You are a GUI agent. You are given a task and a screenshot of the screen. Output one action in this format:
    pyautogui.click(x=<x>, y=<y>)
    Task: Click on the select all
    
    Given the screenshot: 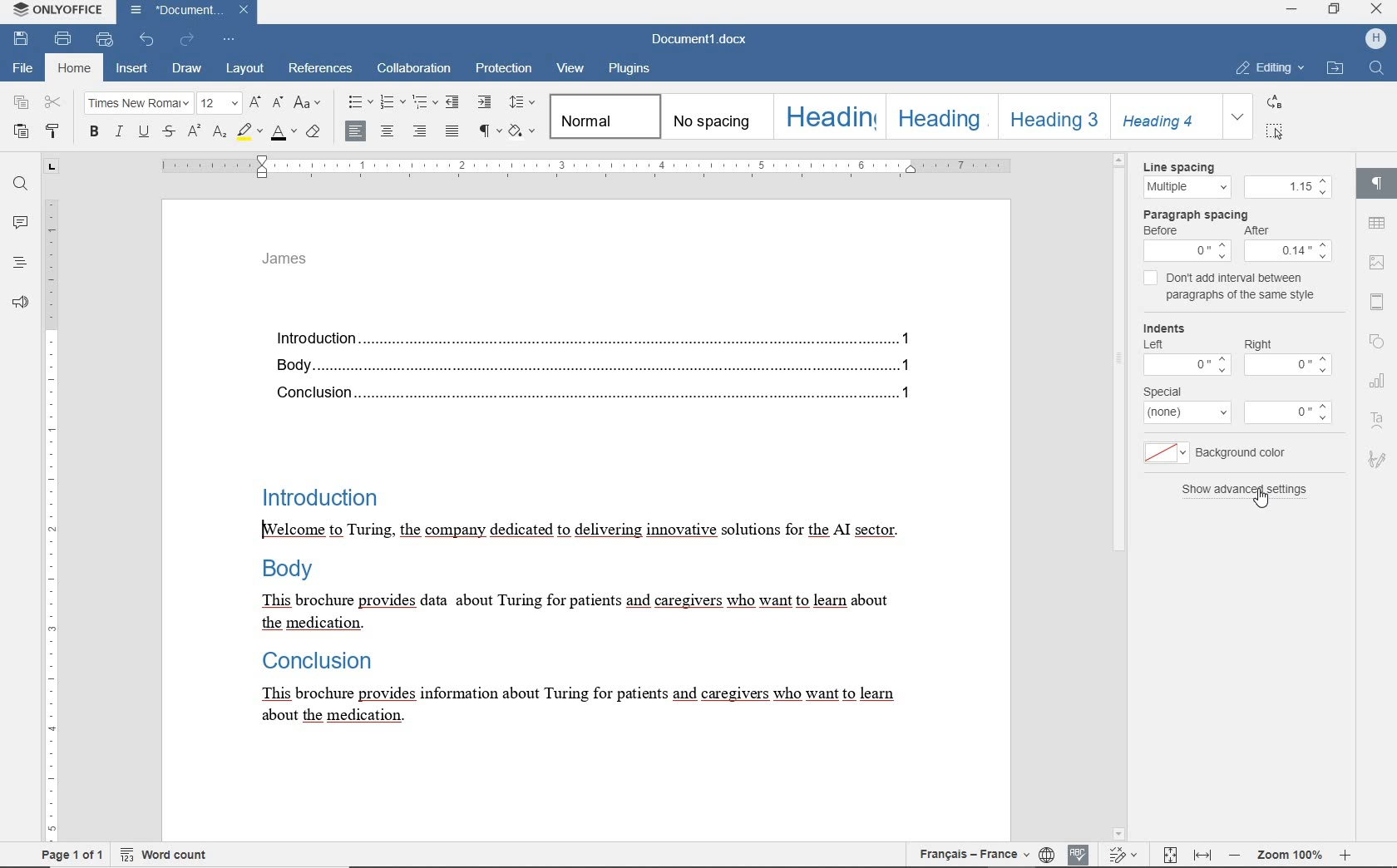 What is the action you would take?
    pyautogui.click(x=1276, y=133)
    